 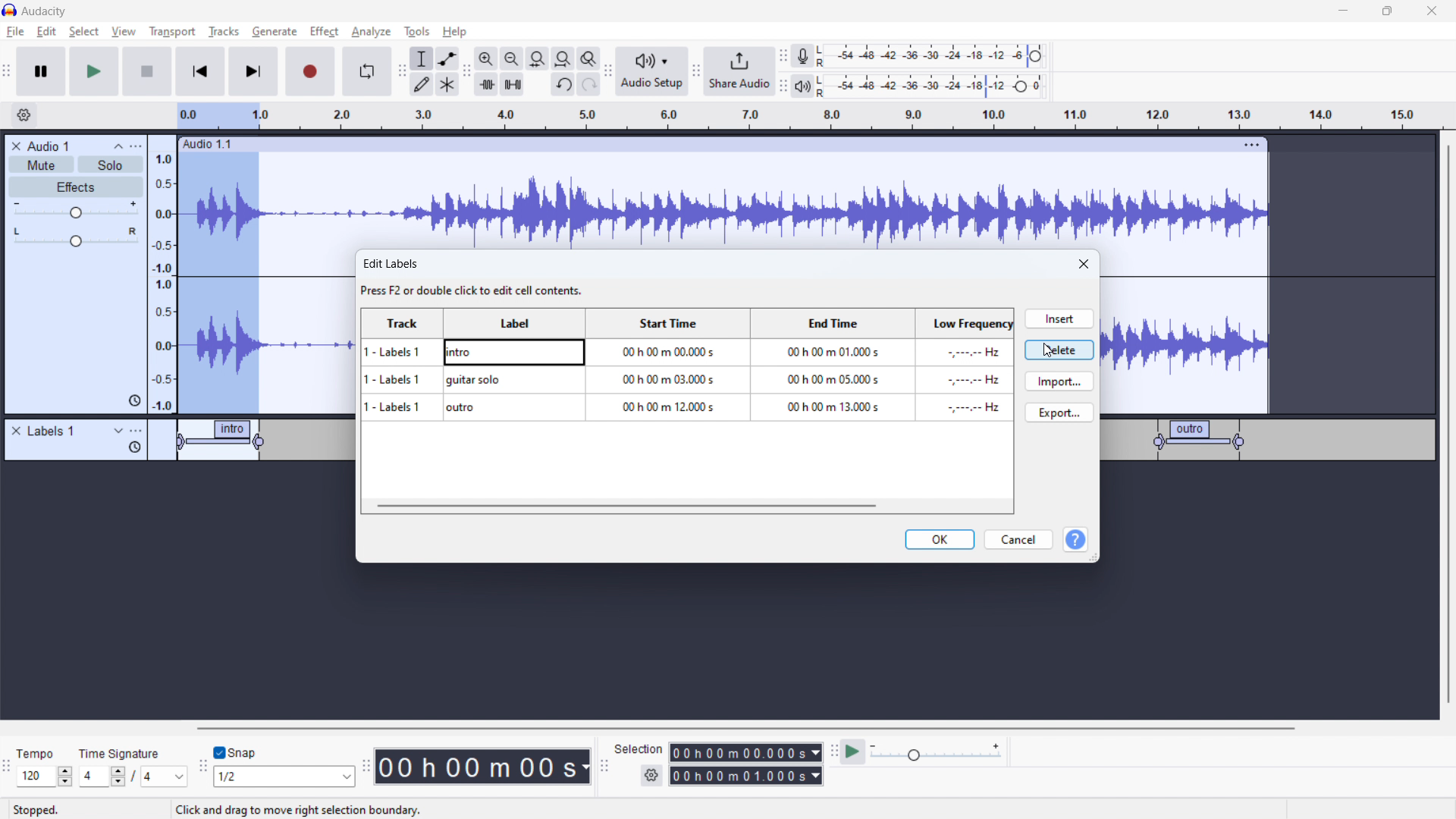 I want to click on time signature toolbar, so click(x=9, y=770).